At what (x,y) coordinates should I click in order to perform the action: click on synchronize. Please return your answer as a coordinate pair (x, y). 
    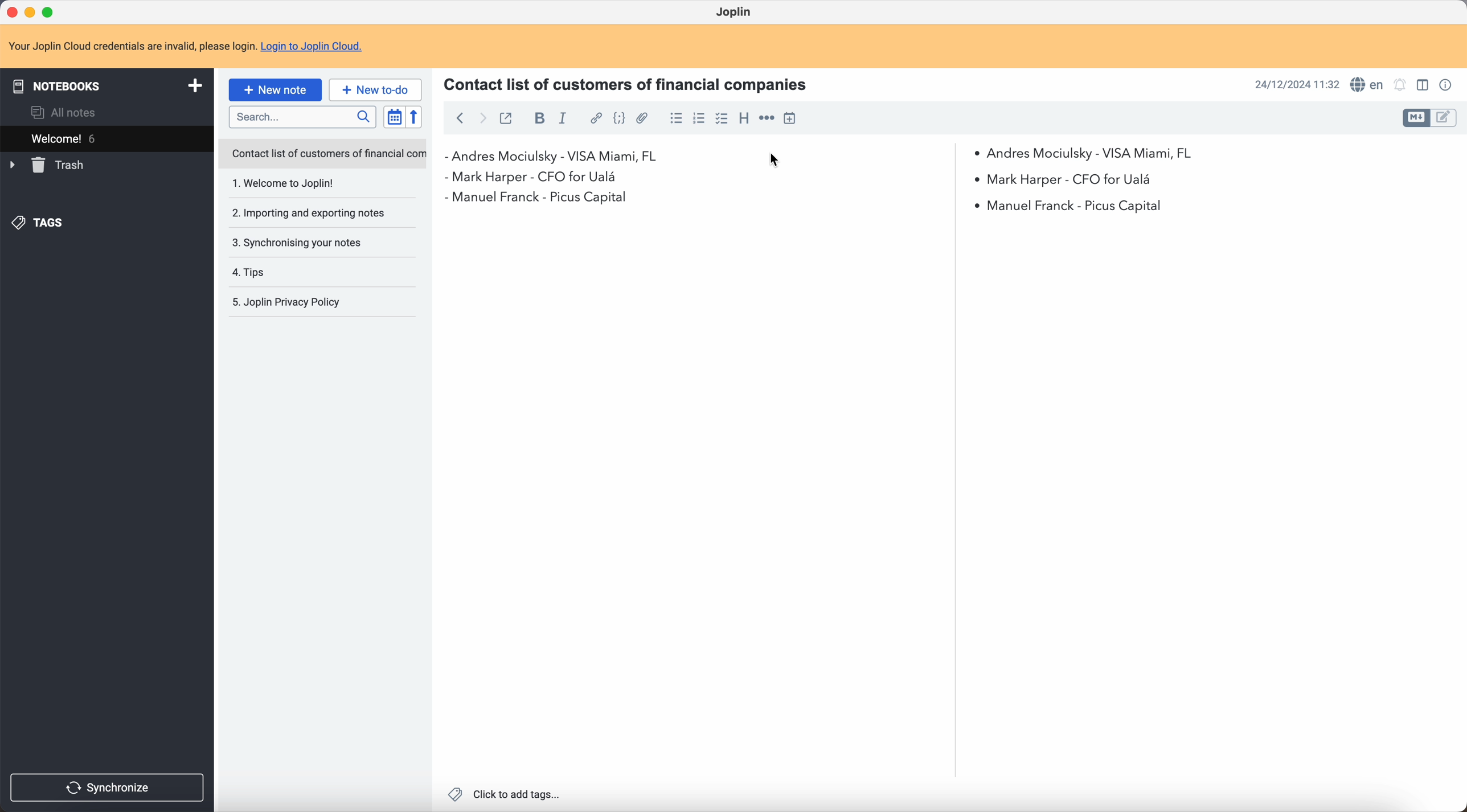
    Looking at the image, I should click on (108, 788).